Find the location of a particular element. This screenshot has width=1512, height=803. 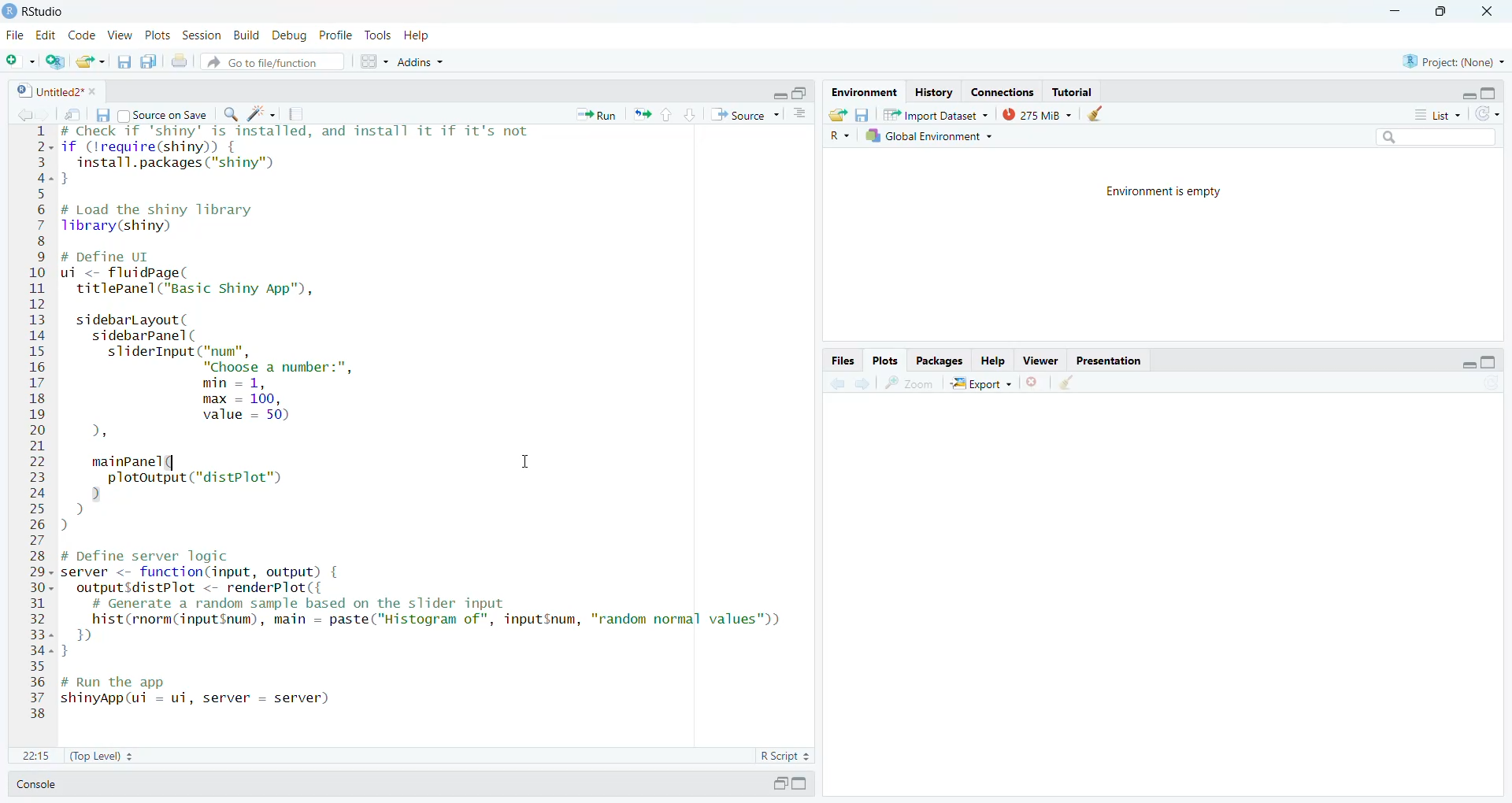

mainPanel(]
plotoutput ("distPlot")
)
)
) is located at coordinates (192, 495).